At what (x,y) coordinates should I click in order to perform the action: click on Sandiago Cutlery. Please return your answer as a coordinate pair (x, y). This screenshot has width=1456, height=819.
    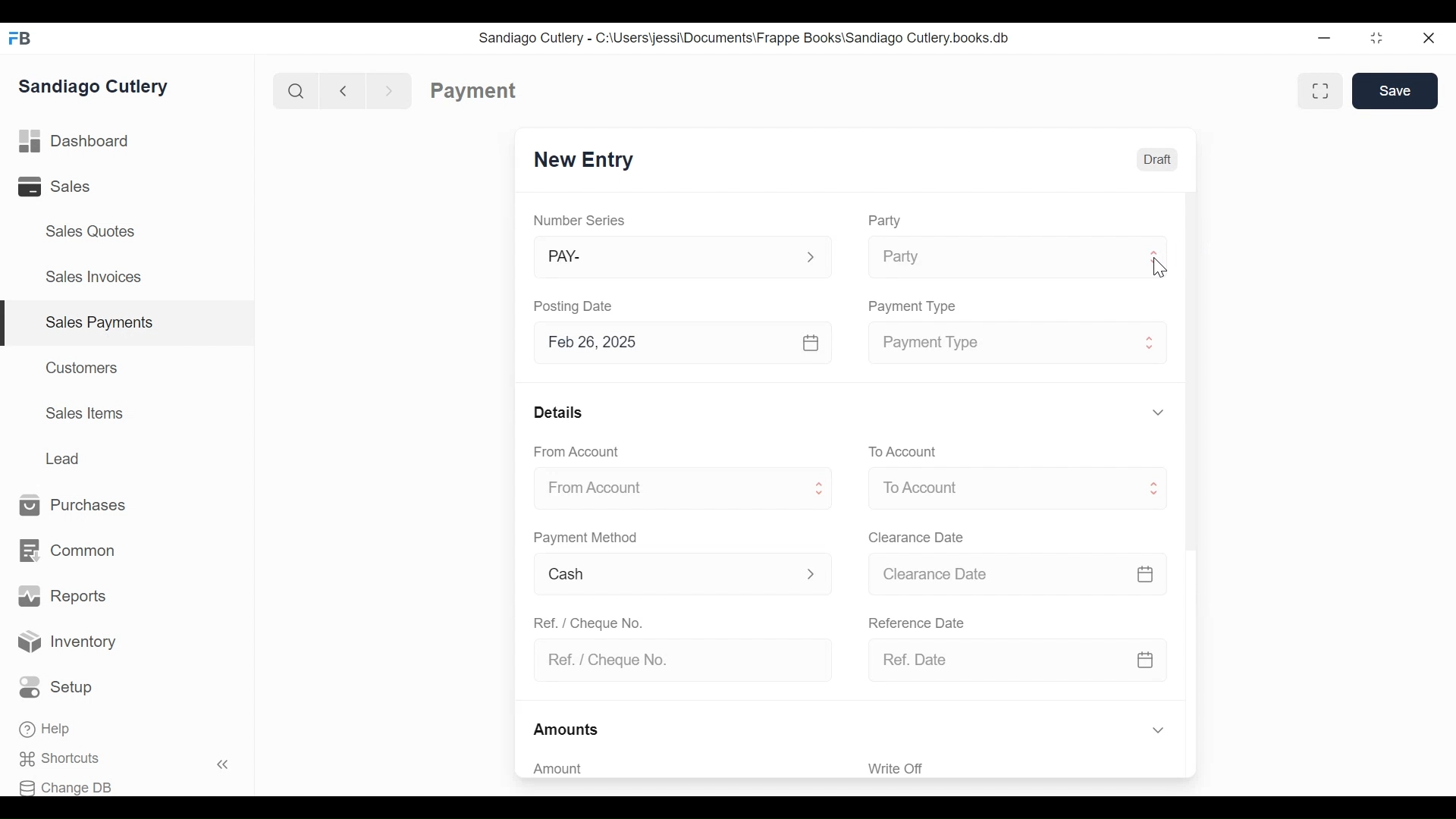
    Looking at the image, I should click on (96, 86).